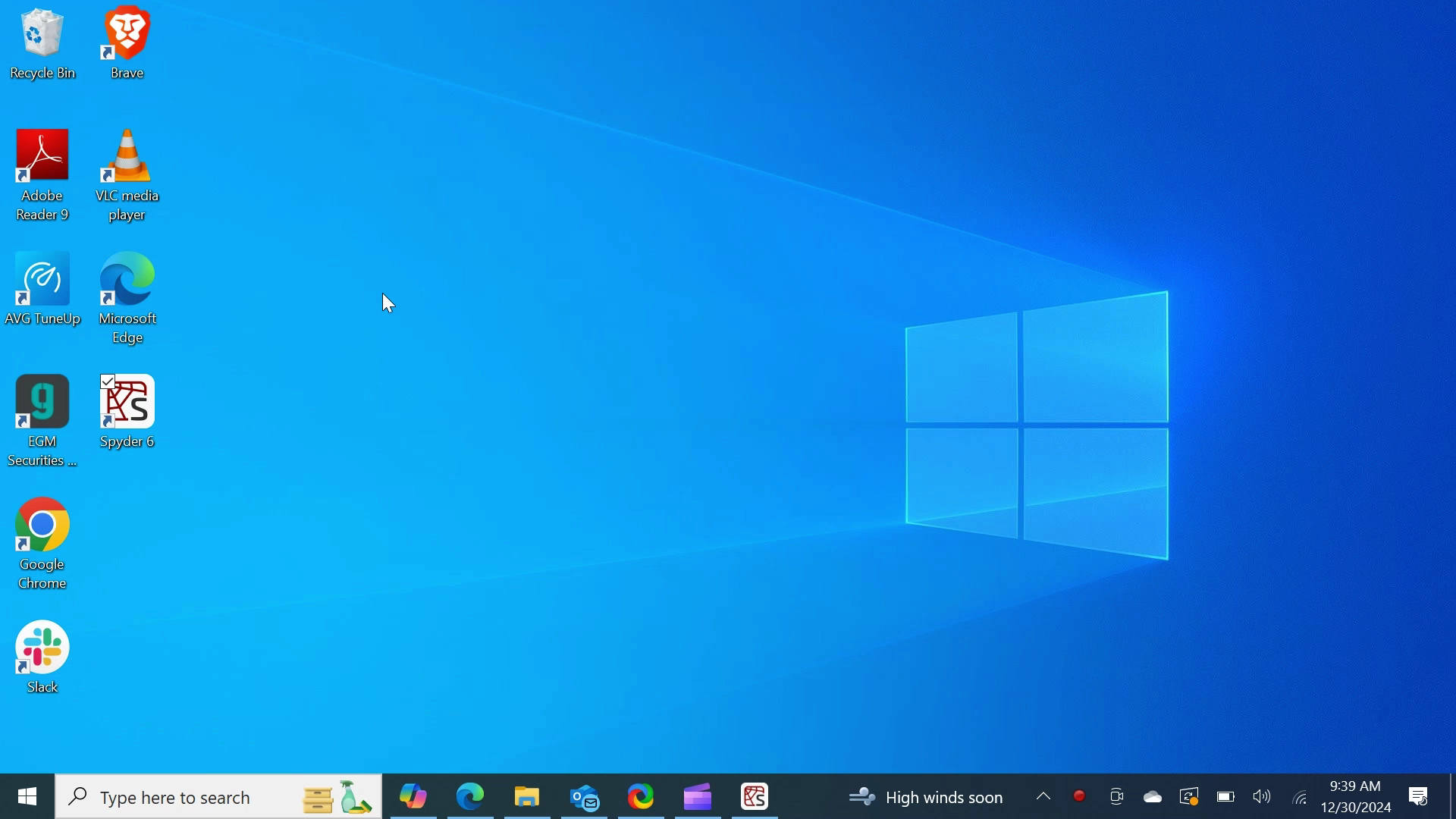  Describe the element at coordinates (1262, 795) in the screenshot. I see `Speaker` at that location.